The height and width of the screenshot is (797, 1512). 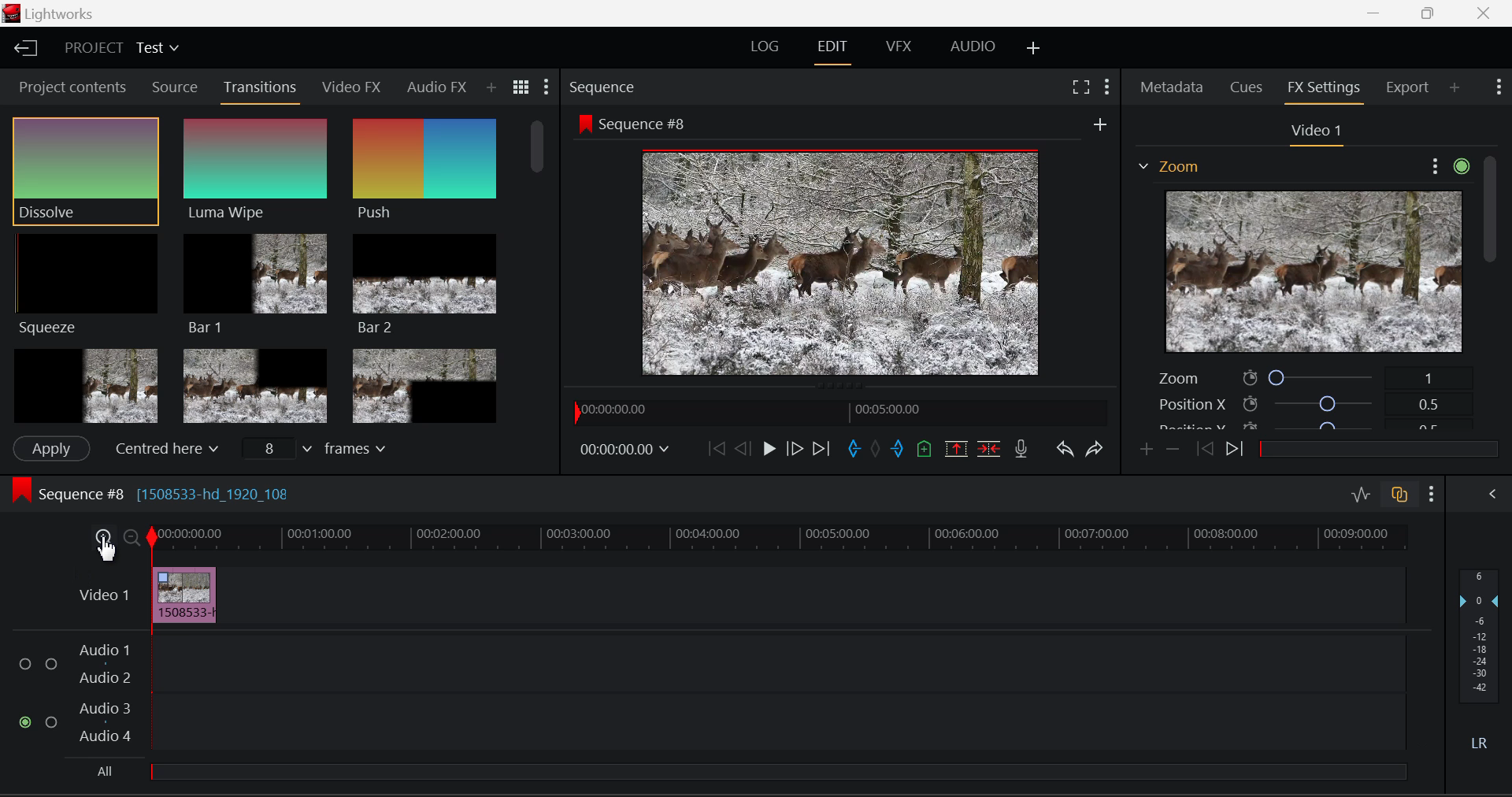 What do you see at coordinates (131, 539) in the screenshot?
I see `Timeline Zoom Out` at bounding box center [131, 539].